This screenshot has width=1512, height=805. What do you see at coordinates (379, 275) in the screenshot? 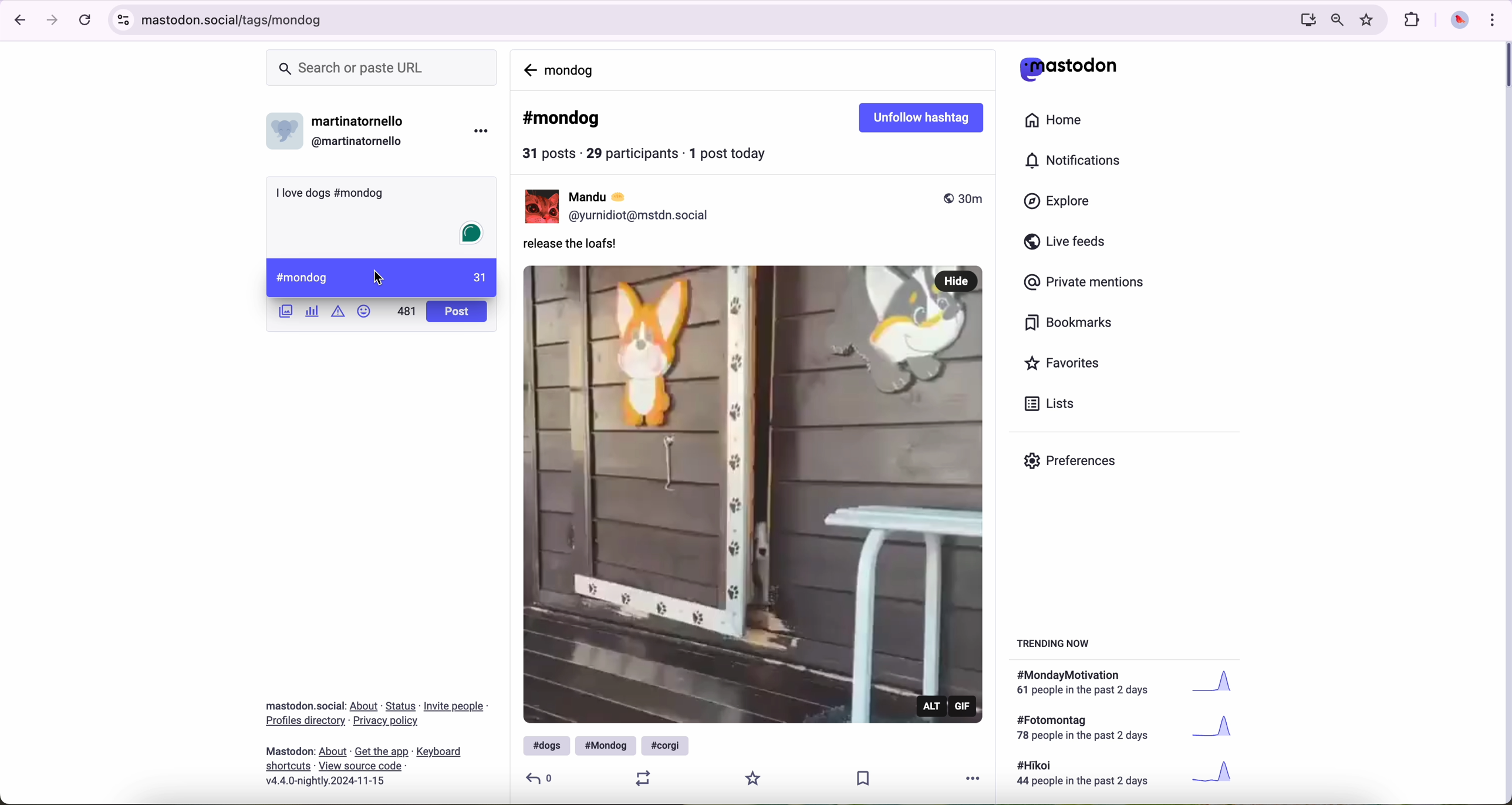
I see `cursor on post message` at bounding box center [379, 275].